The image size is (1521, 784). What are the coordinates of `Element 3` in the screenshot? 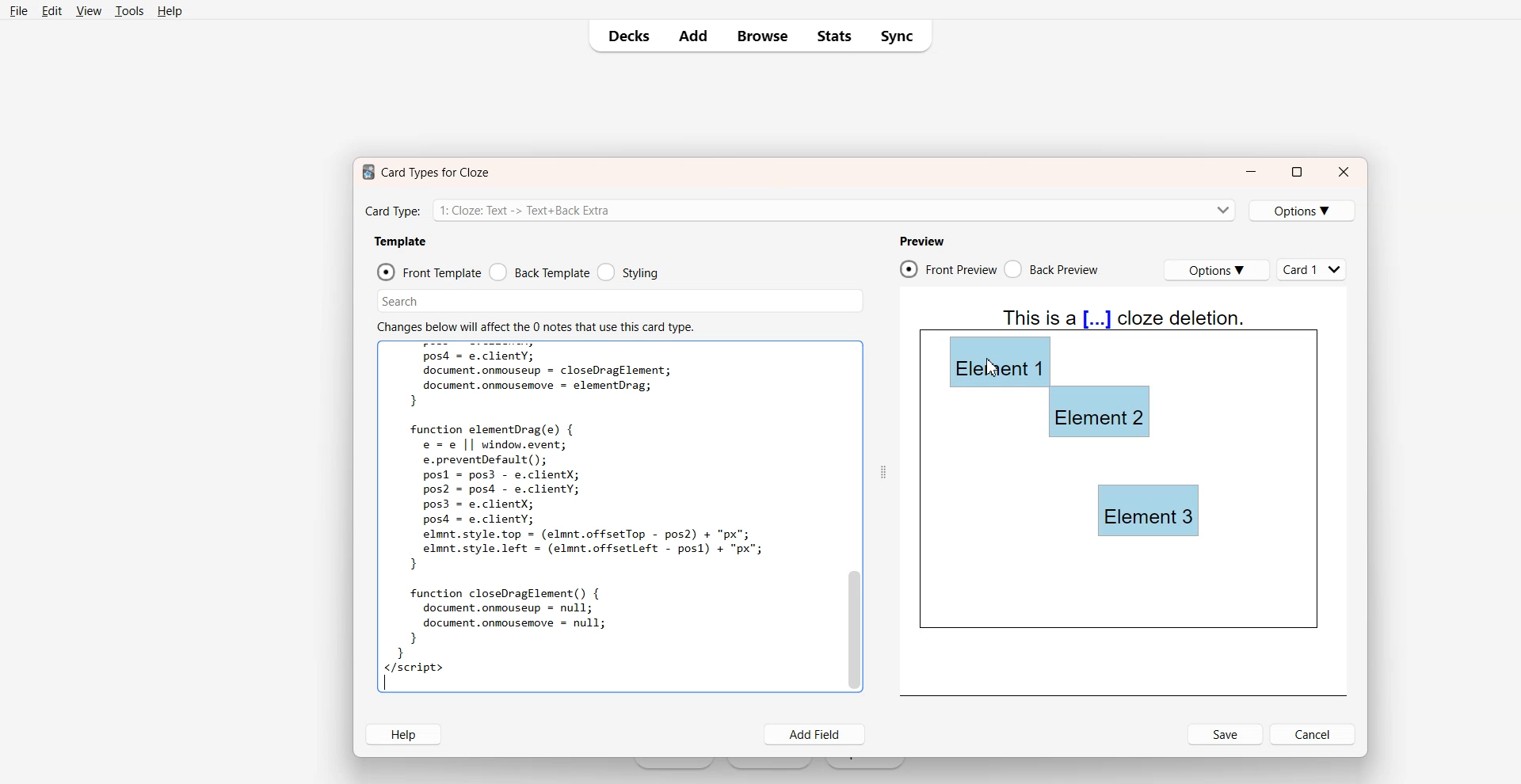 It's located at (1149, 511).